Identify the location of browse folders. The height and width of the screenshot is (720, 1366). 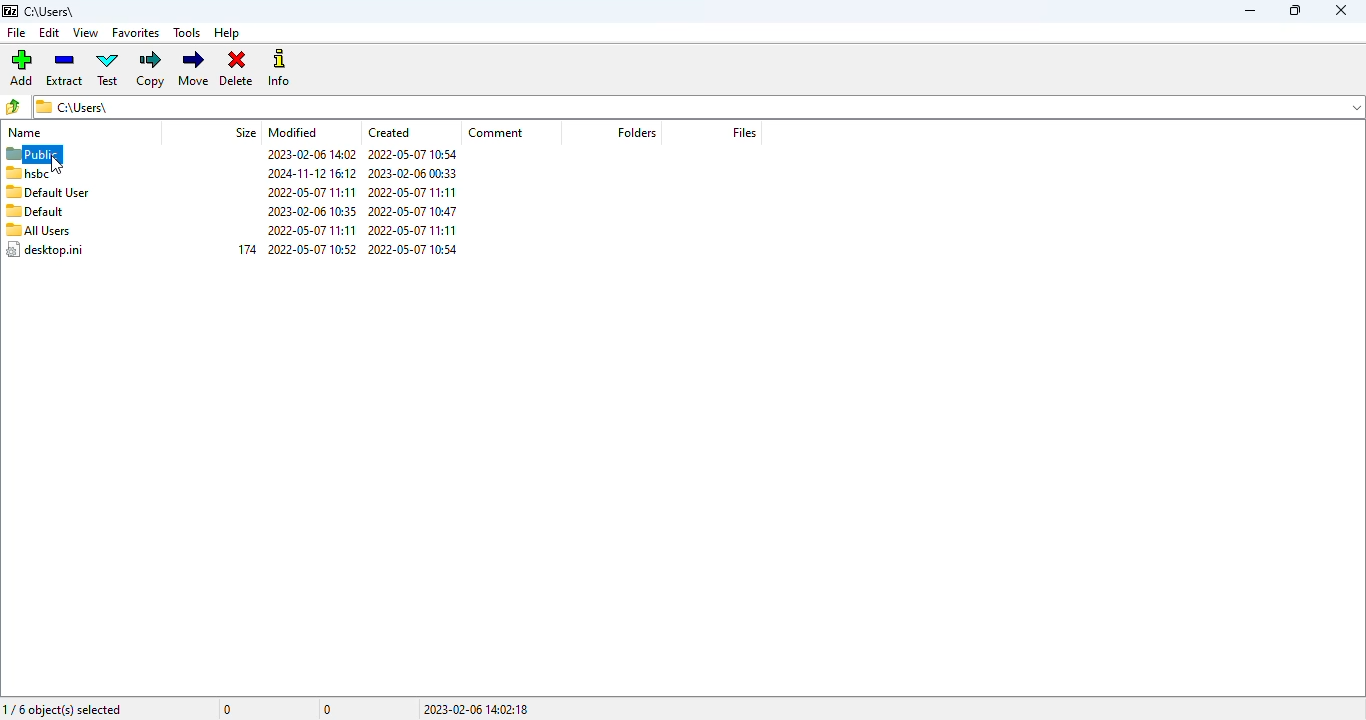
(11, 106).